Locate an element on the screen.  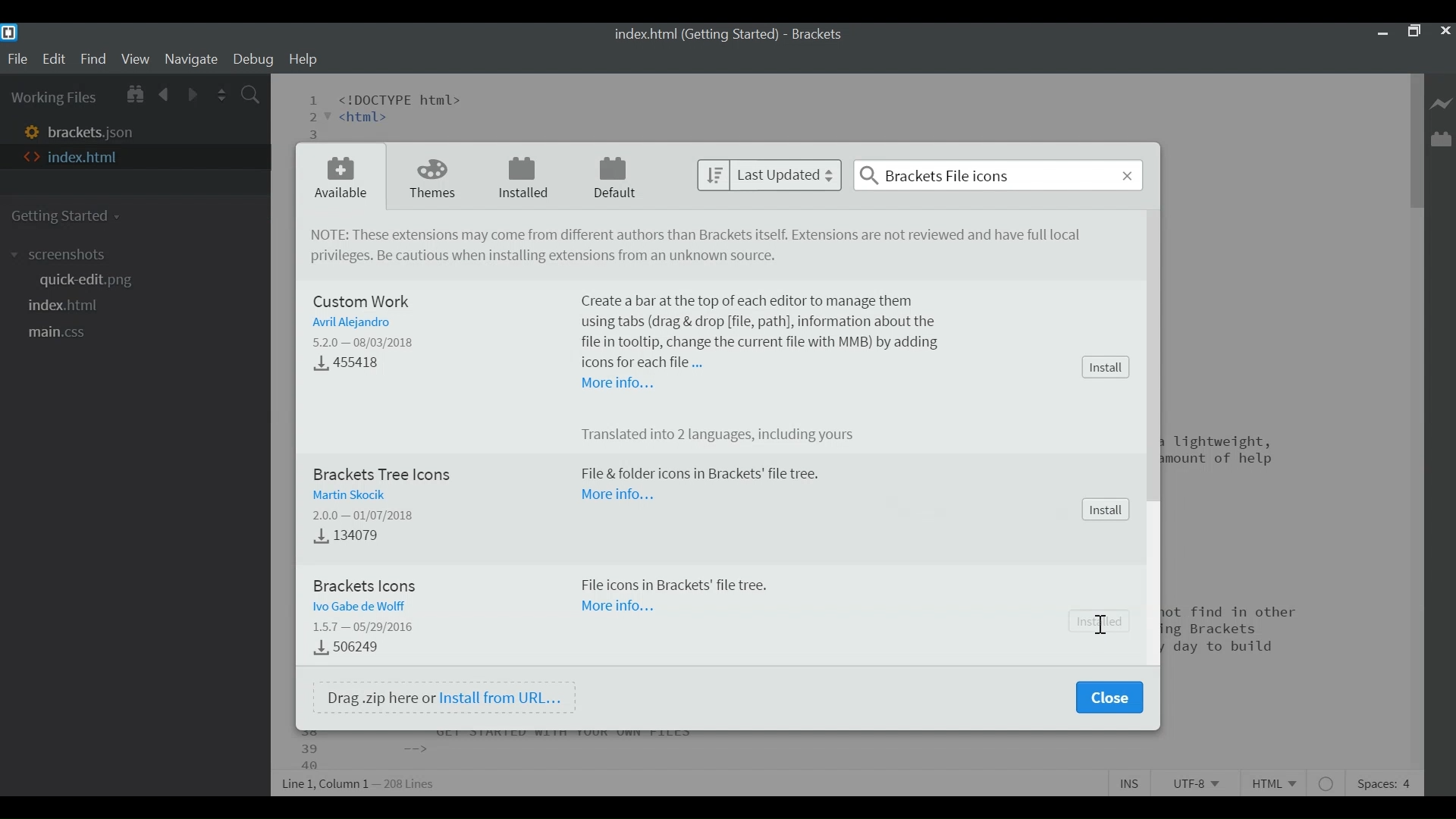
Downloads is located at coordinates (343, 538).